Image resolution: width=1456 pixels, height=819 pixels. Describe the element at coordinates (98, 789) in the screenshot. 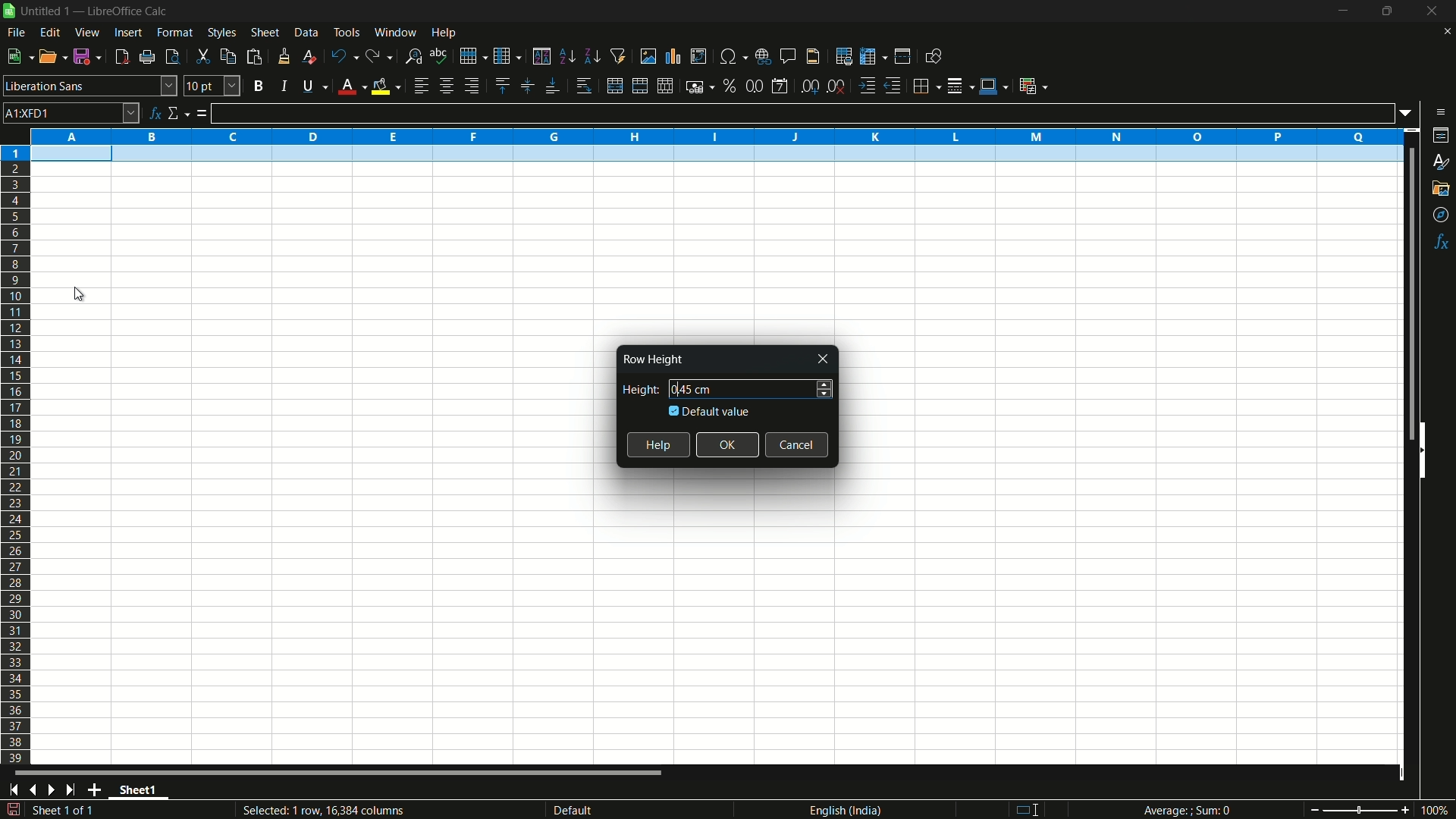

I see `add sheet` at that location.